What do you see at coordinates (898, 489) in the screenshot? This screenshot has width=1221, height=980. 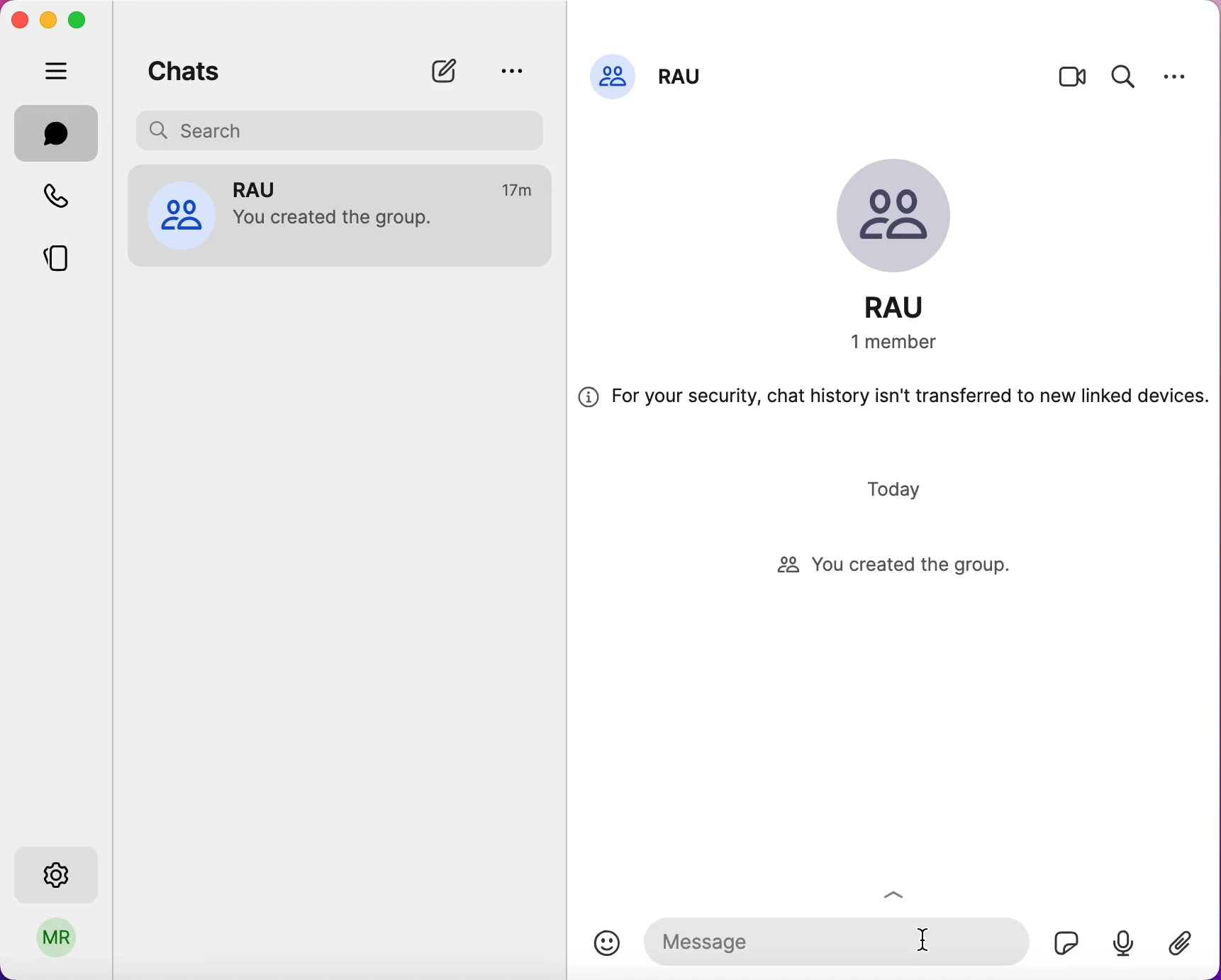 I see `today` at bounding box center [898, 489].